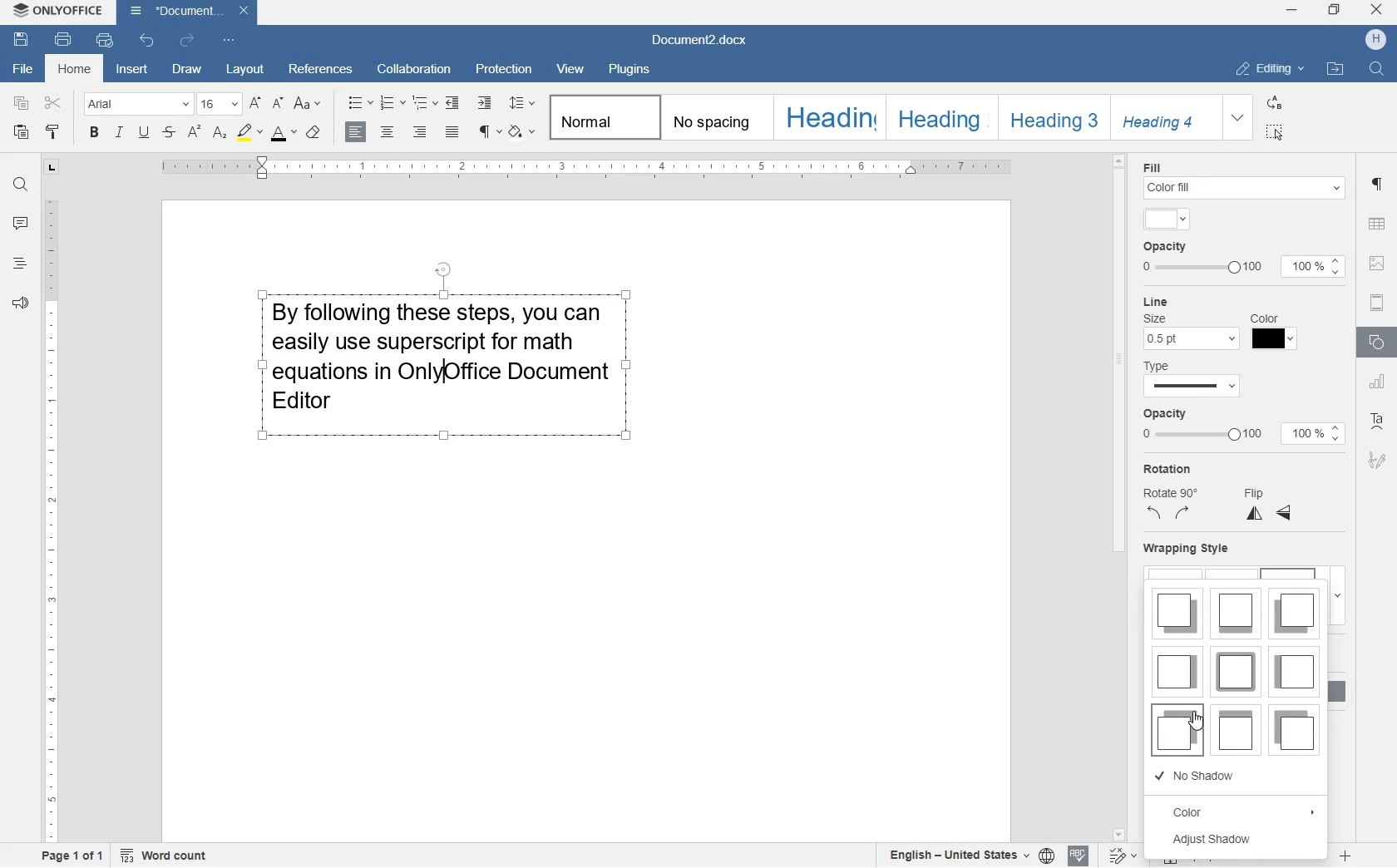 The width and height of the screenshot is (1397, 868). What do you see at coordinates (105, 40) in the screenshot?
I see `quick print` at bounding box center [105, 40].